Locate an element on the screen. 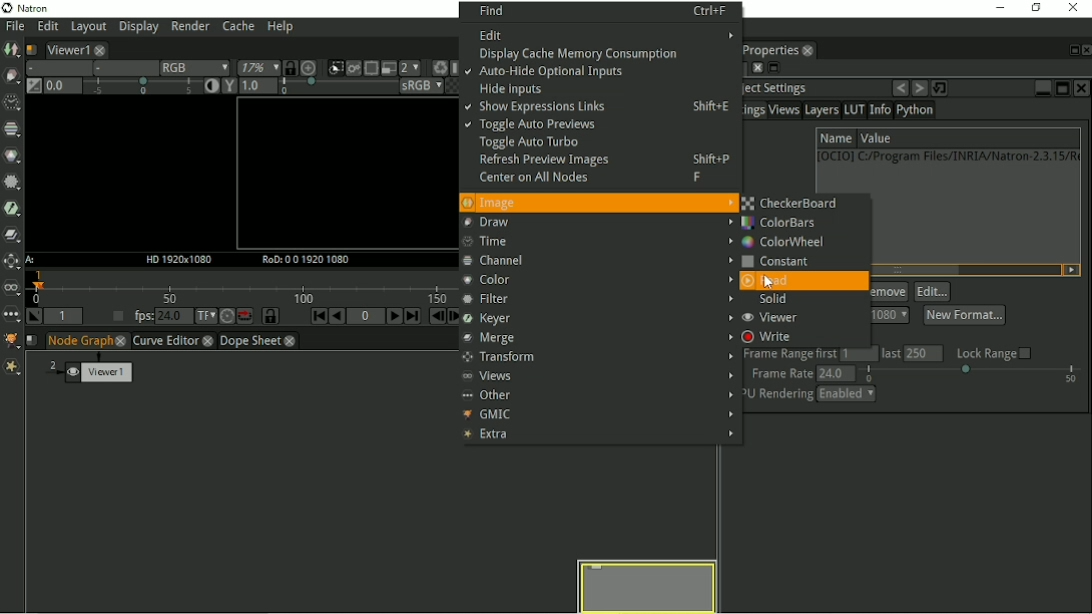 This screenshot has height=614, width=1092. Write is located at coordinates (772, 337).